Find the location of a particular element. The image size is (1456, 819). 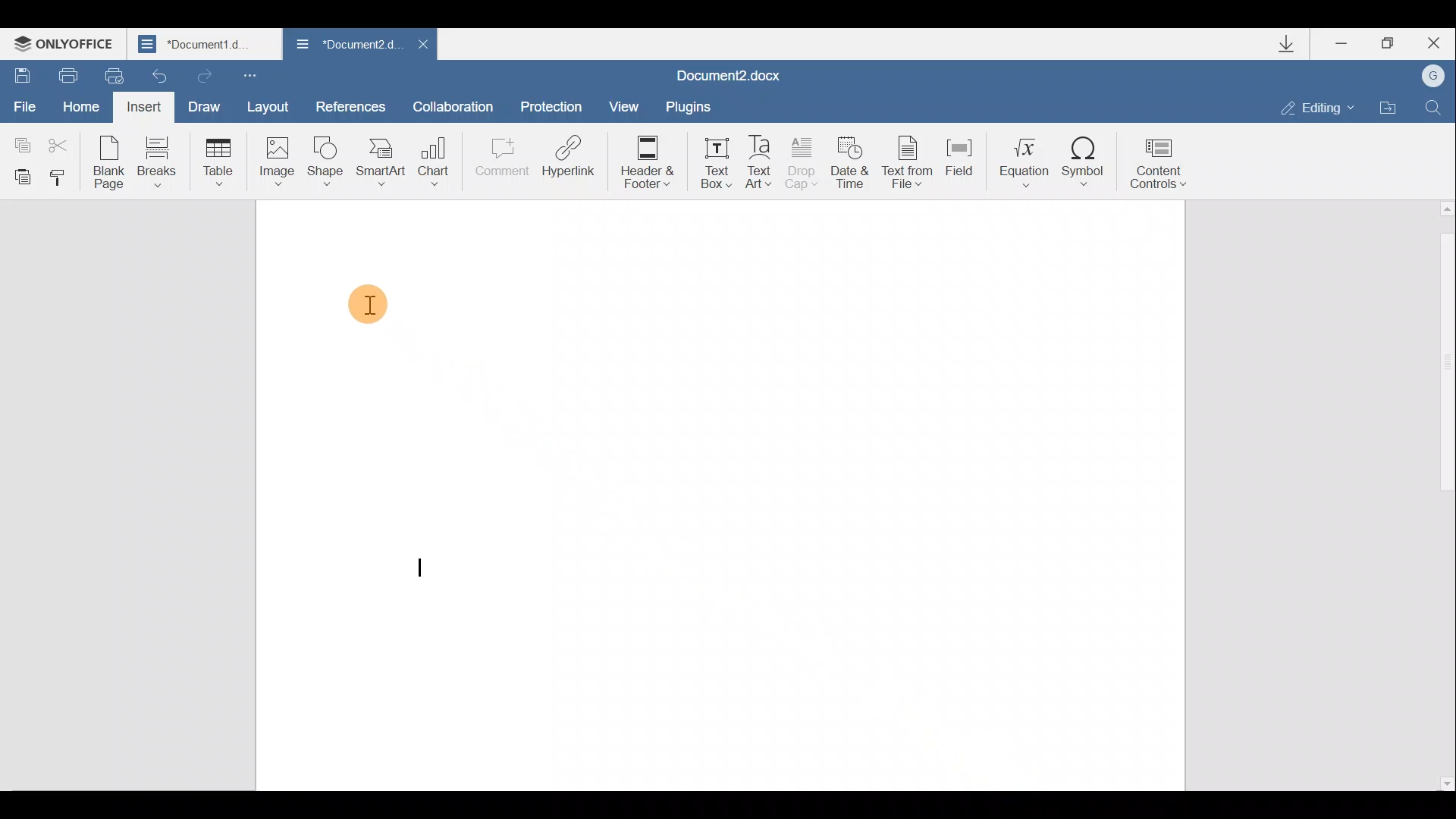

Comment is located at coordinates (501, 159).